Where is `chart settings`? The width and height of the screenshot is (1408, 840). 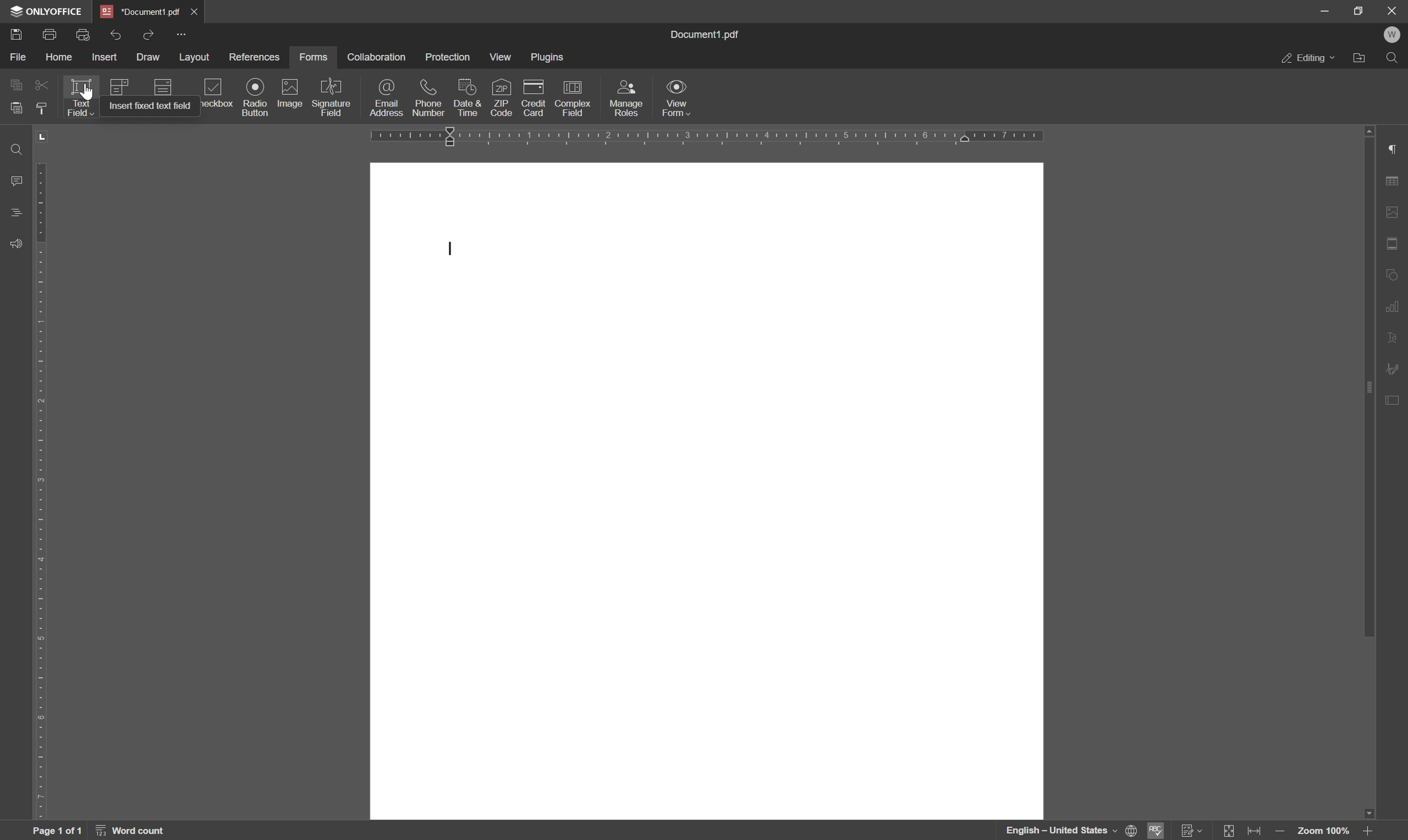 chart settings is located at coordinates (1392, 306).